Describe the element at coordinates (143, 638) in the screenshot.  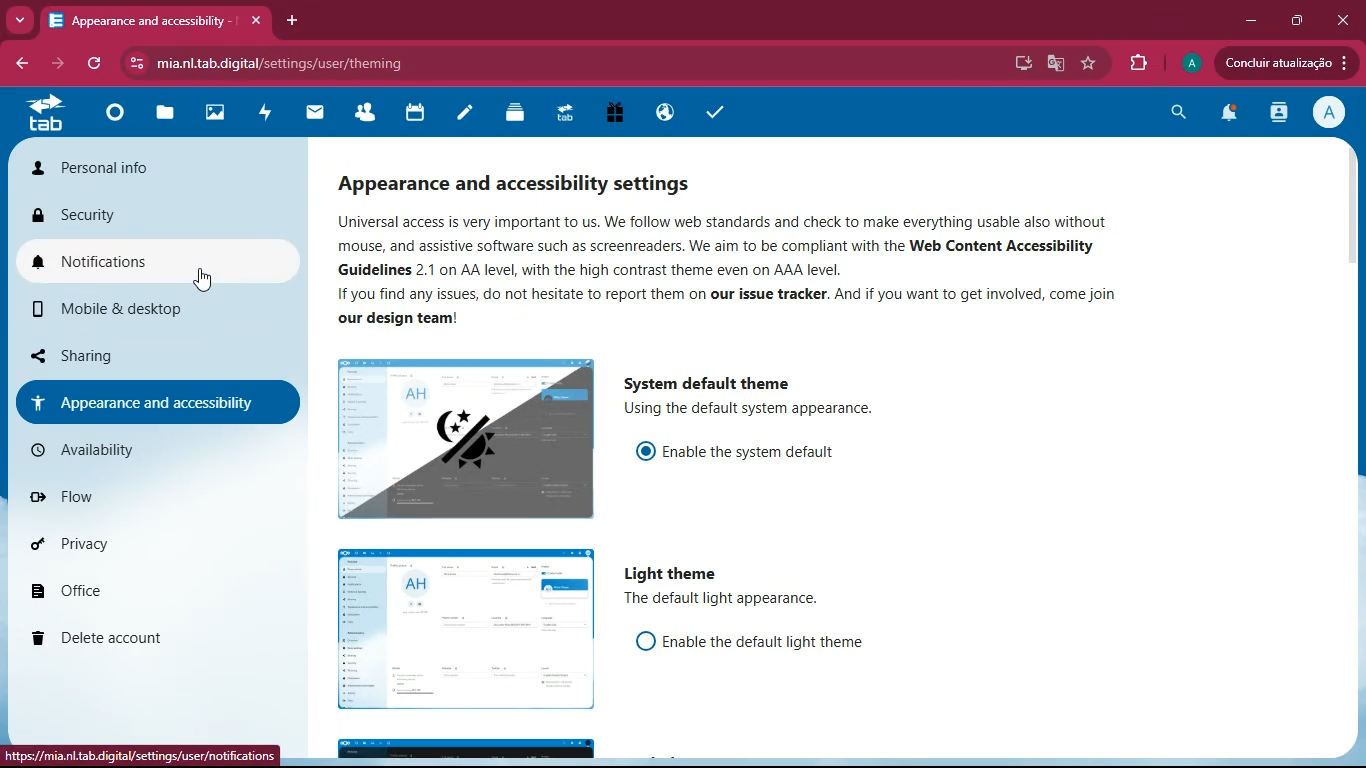
I see `delete account` at that location.